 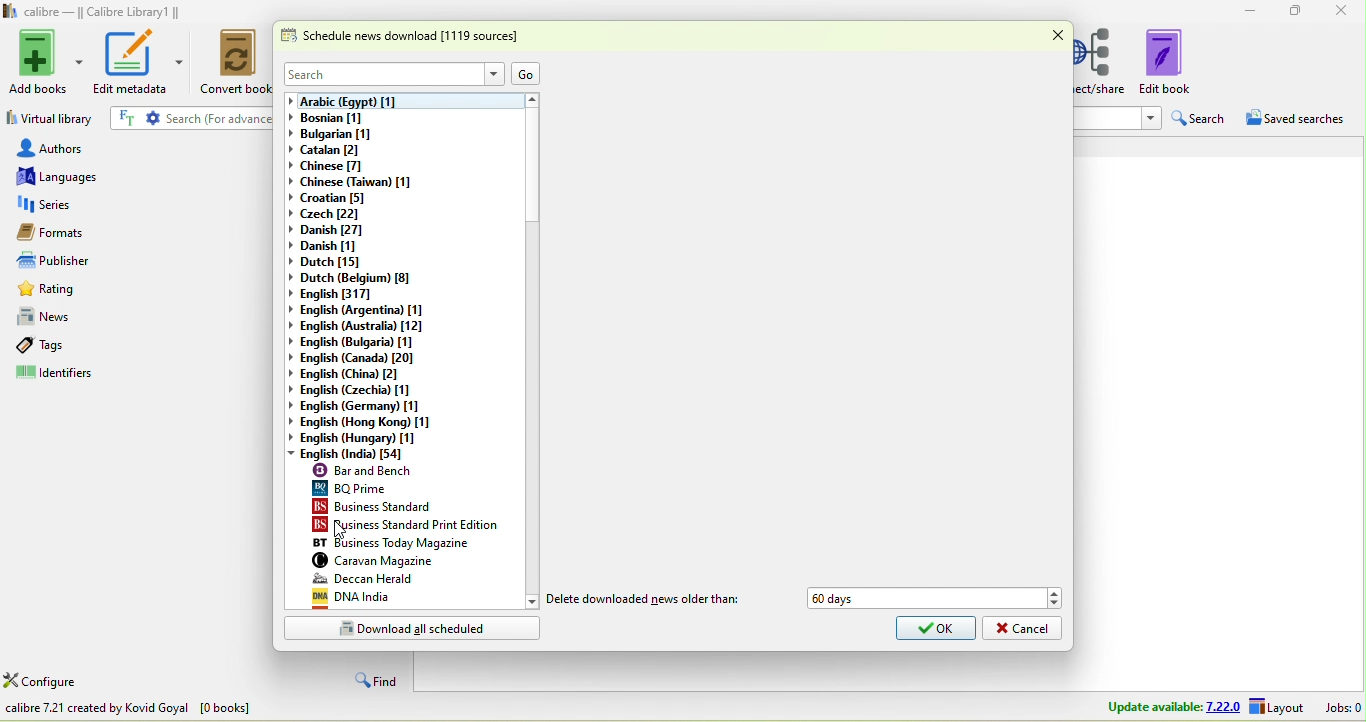 What do you see at coordinates (367, 422) in the screenshot?
I see `english (hong kong)[1]` at bounding box center [367, 422].